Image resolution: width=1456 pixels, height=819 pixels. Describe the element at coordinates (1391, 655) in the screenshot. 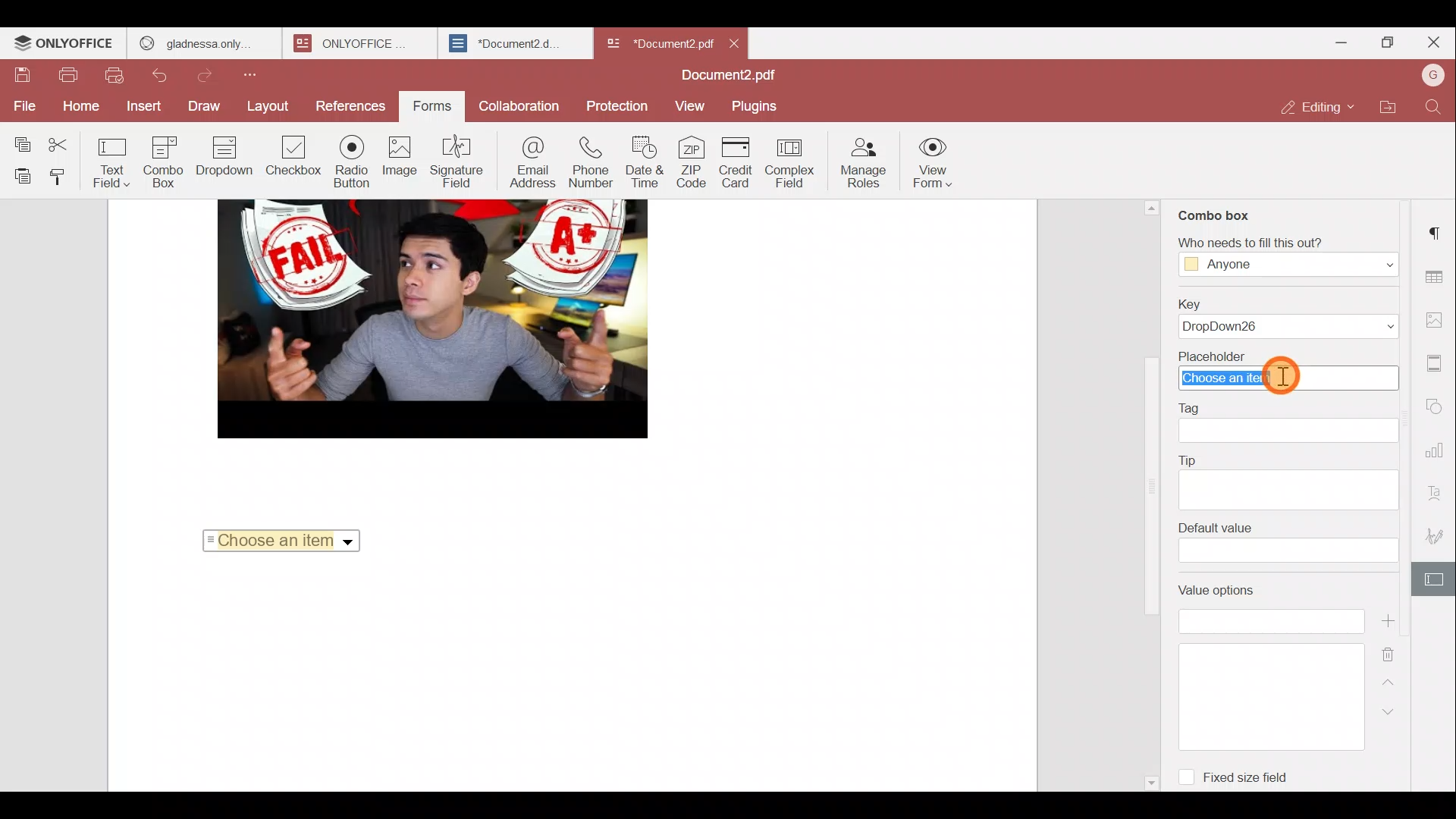

I see `Remove value` at that location.